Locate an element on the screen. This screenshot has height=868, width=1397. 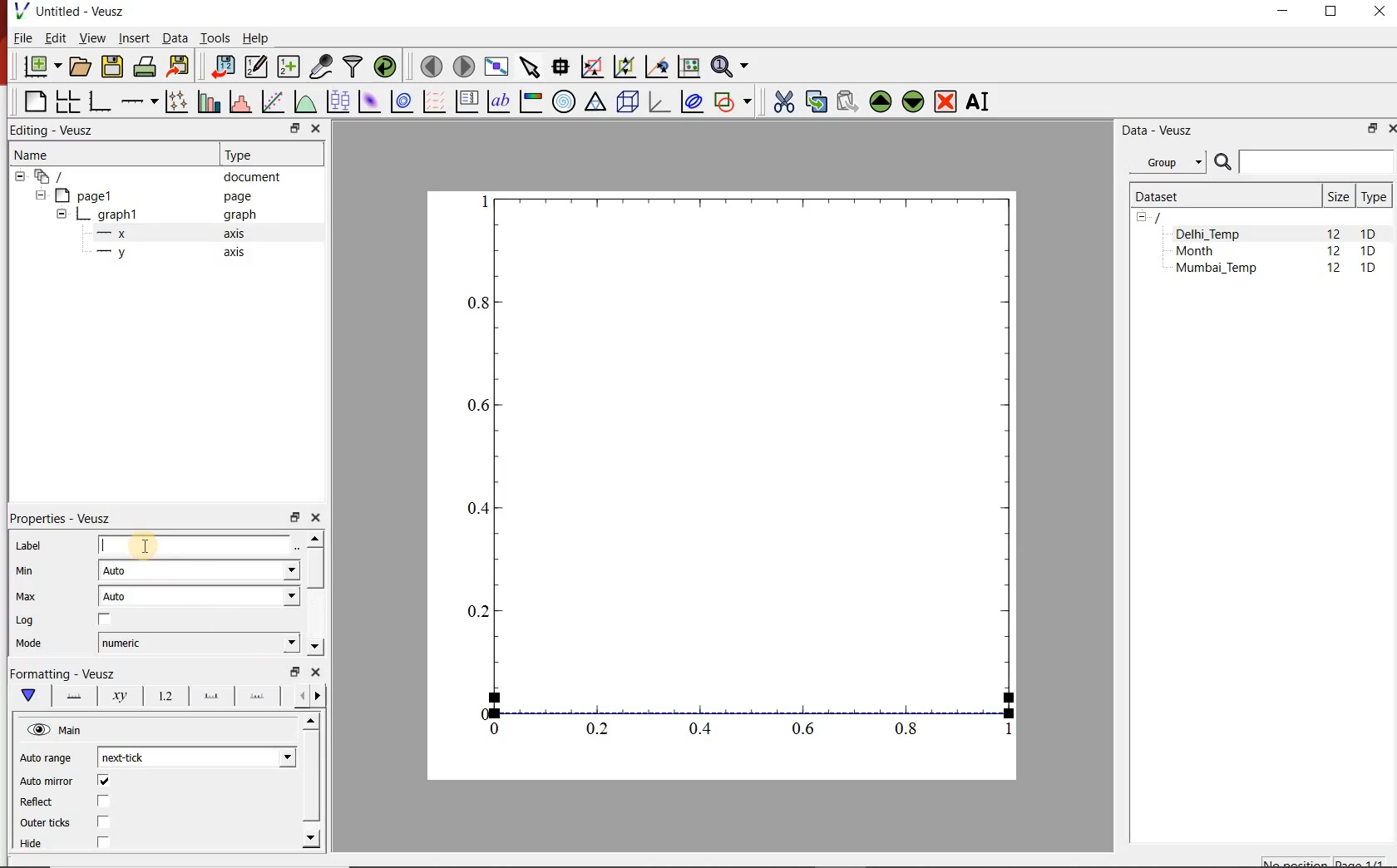
new document is located at coordinates (41, 67).